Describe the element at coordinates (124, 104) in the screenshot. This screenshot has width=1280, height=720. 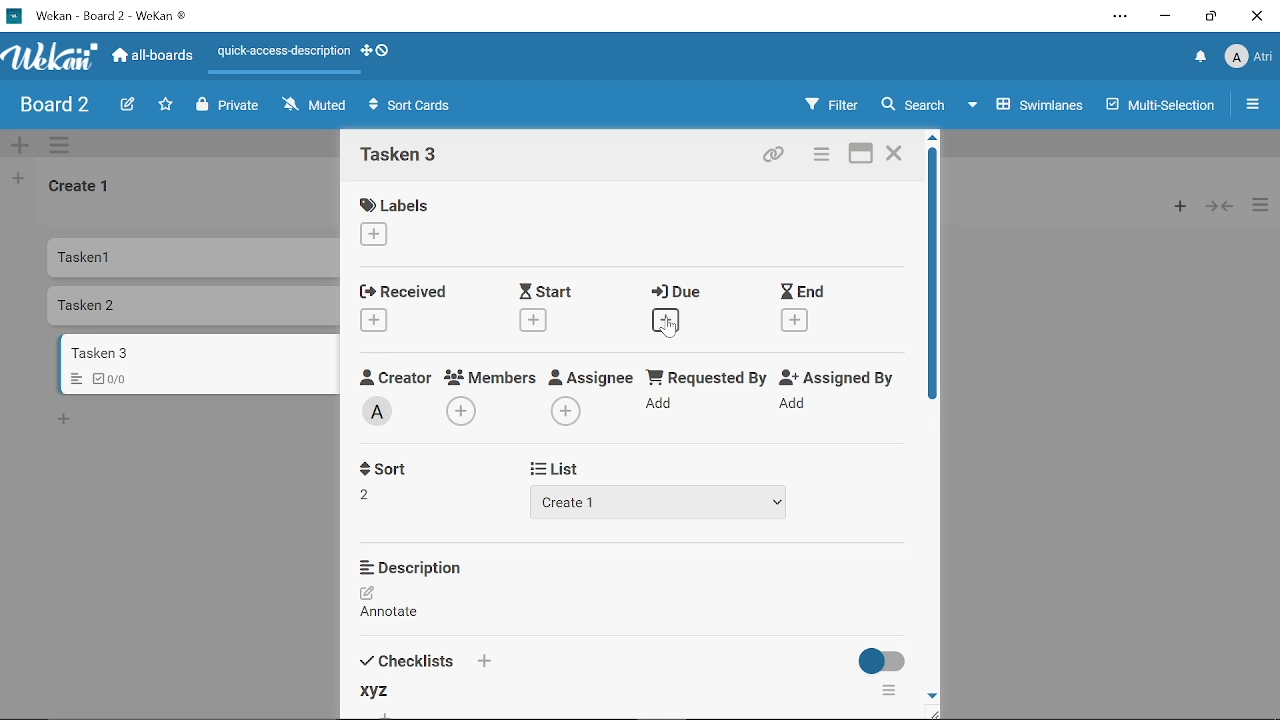
I see `Edit` at that location.